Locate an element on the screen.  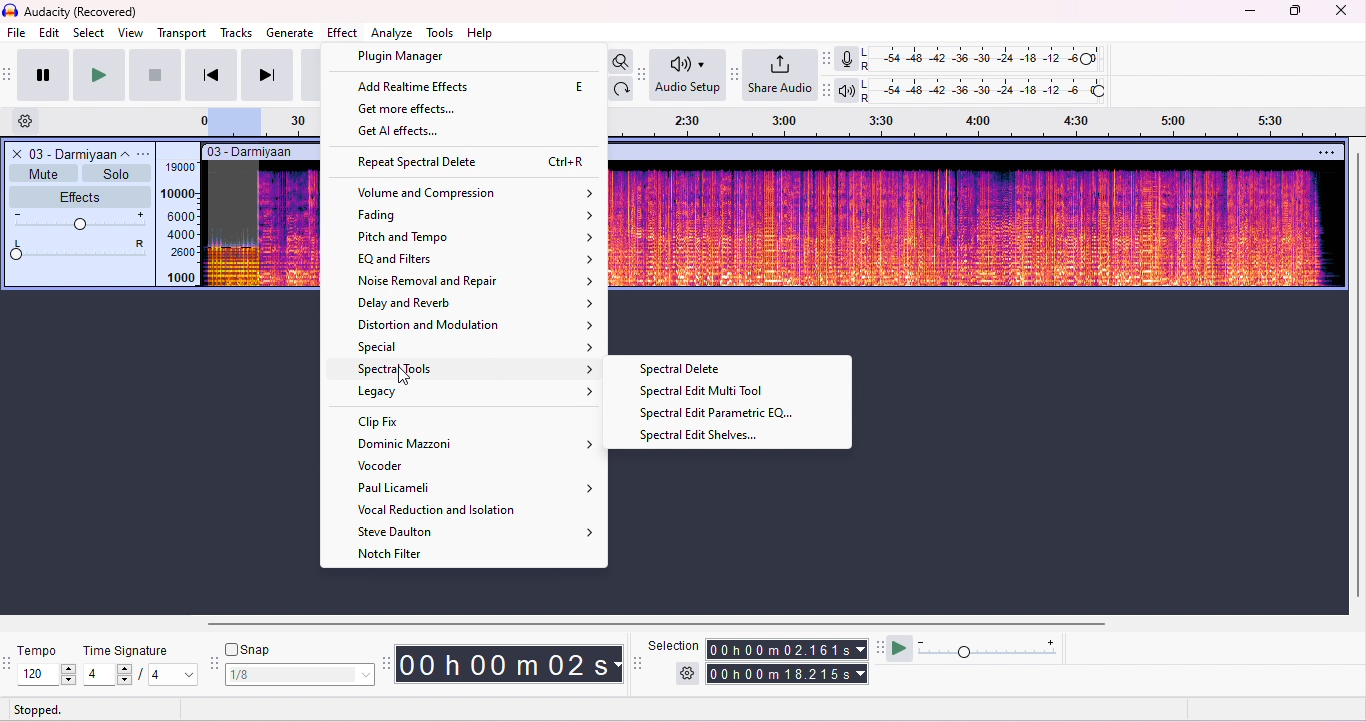
analyze is located at coordinates (391, 33).